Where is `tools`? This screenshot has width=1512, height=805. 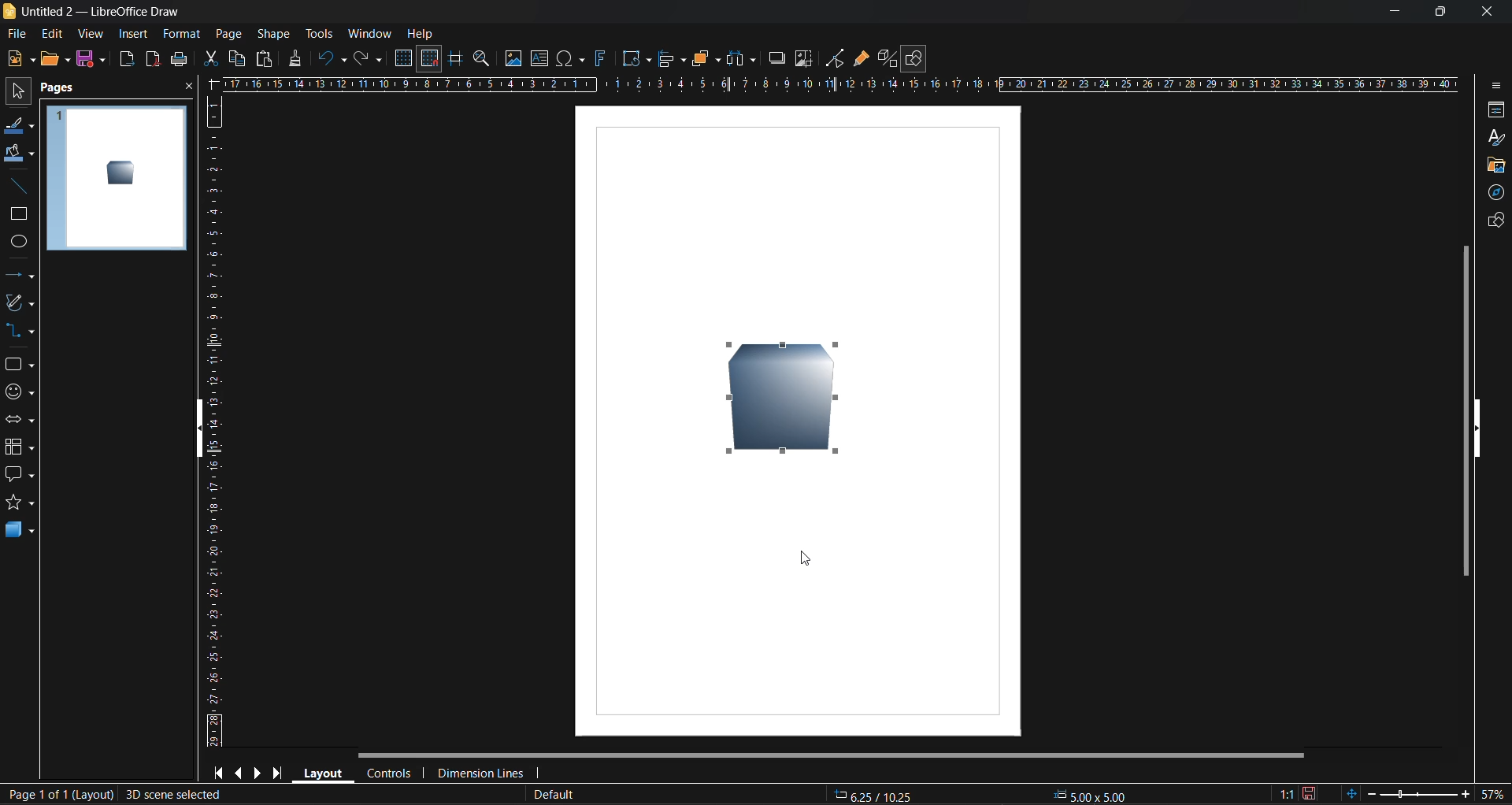
tools is located at coordinates (319, 33).